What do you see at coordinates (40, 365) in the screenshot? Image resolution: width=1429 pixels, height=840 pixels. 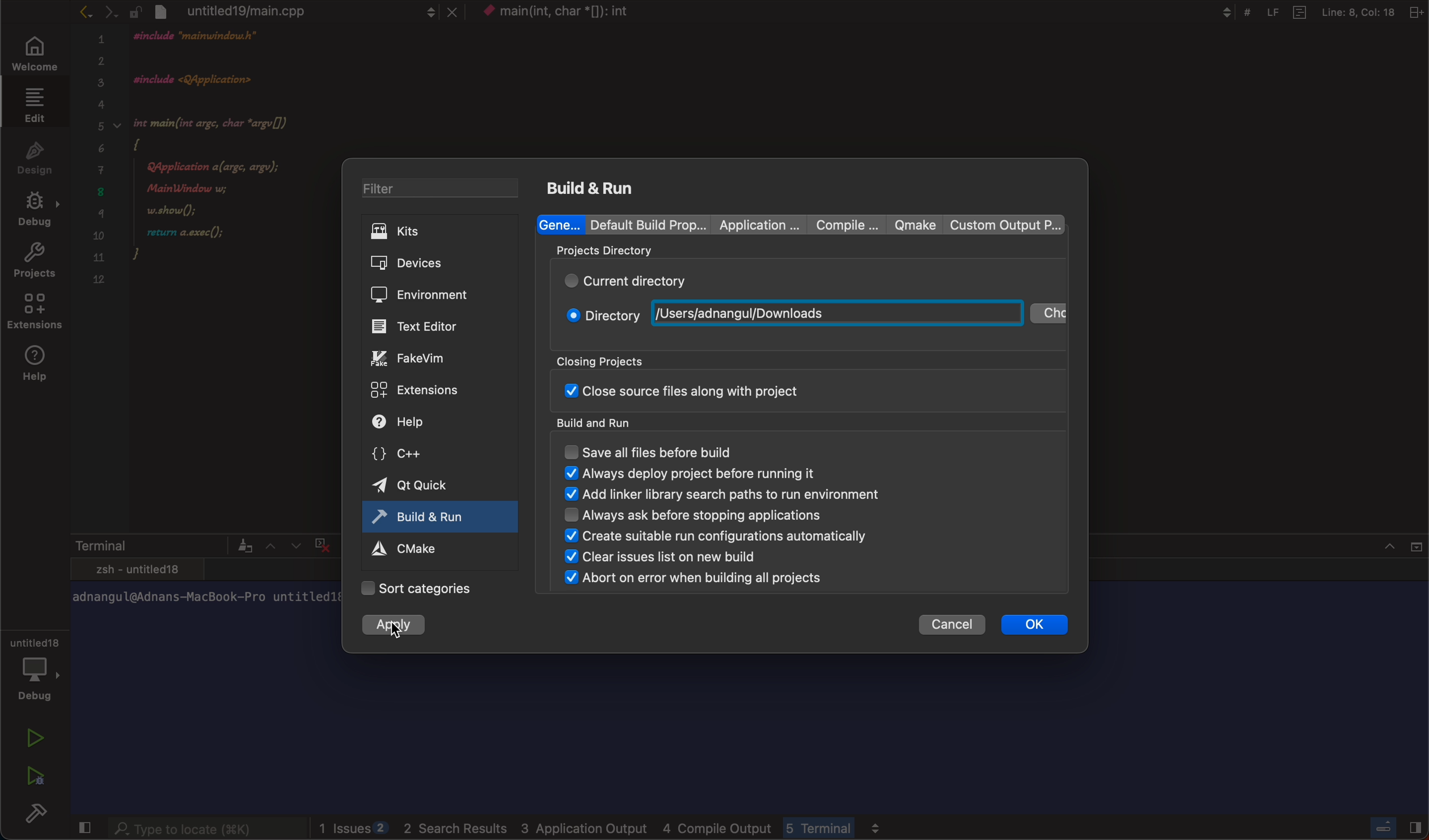 I see `help` at bounding box center [40, 365].